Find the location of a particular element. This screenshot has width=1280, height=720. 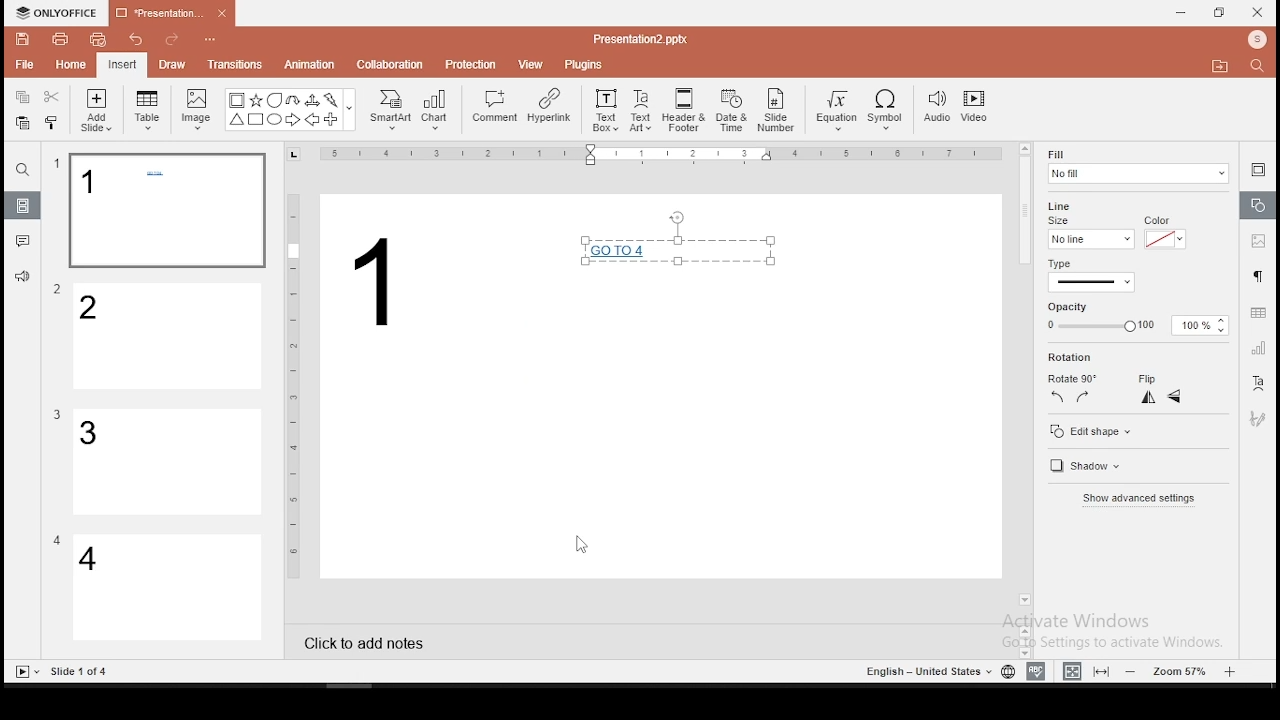

Slide is located at coordinates (23, 672).